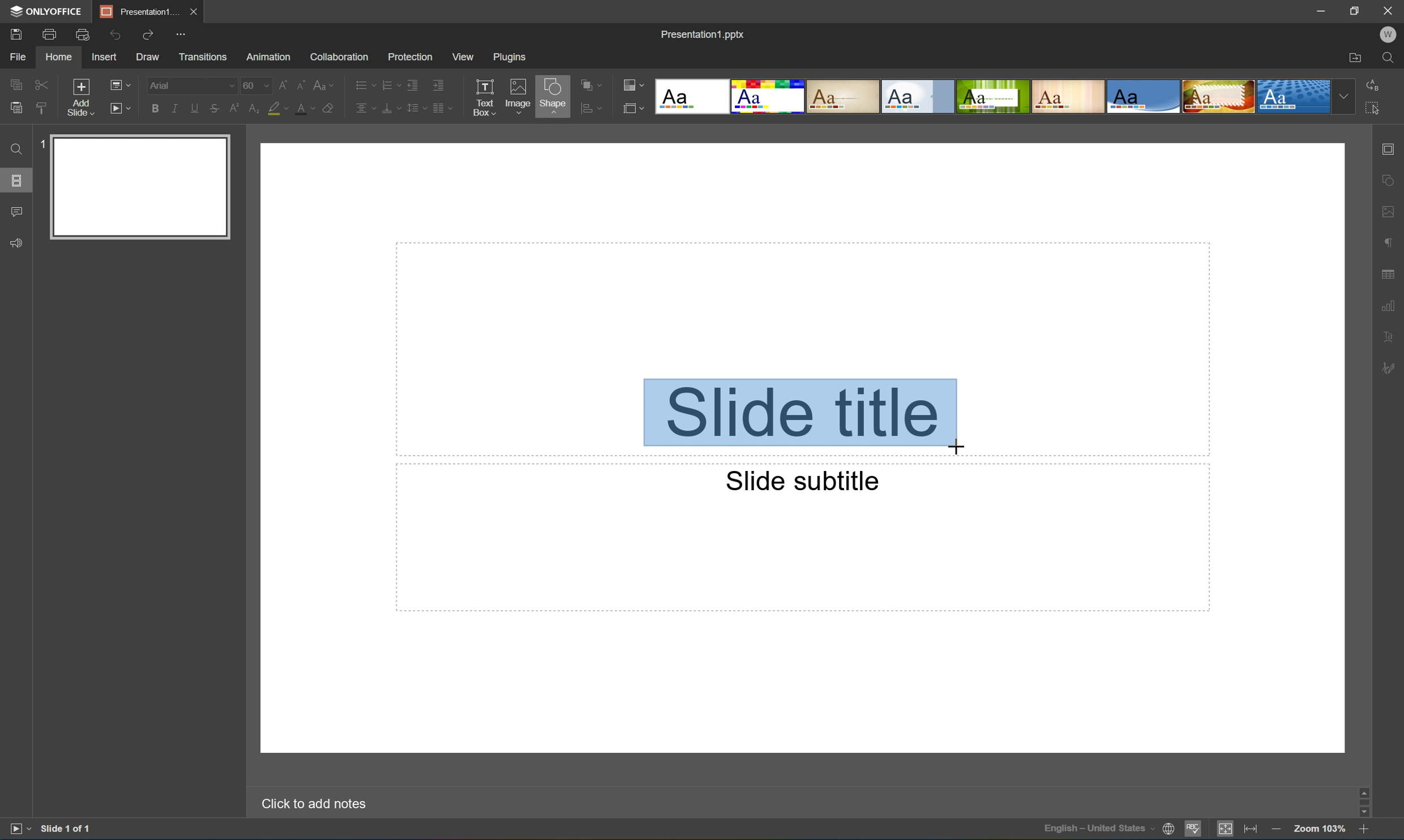 Image resolution: width=1404 pixels, height=840 pixels. Describe the element at coordinates (1099, 831) in the screenshot. I see `English - United States` at that location.